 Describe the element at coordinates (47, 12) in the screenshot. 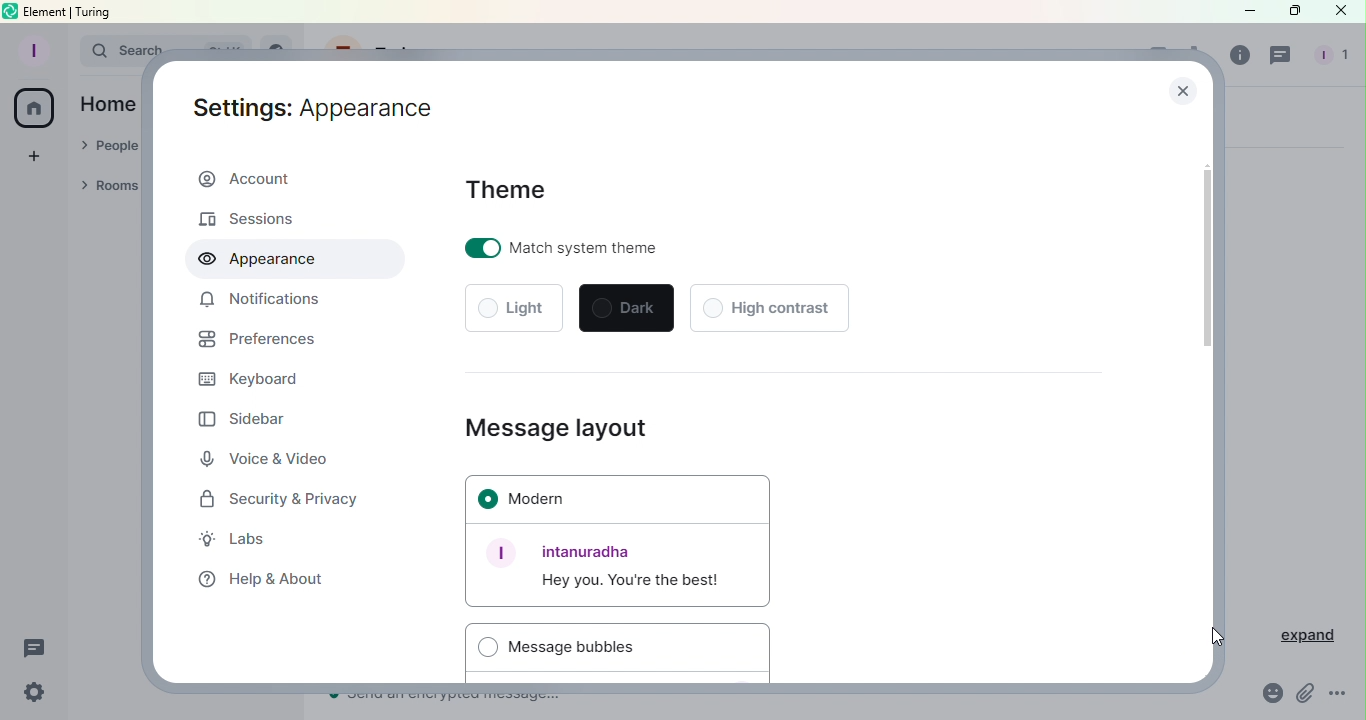

I see `element` at that location.